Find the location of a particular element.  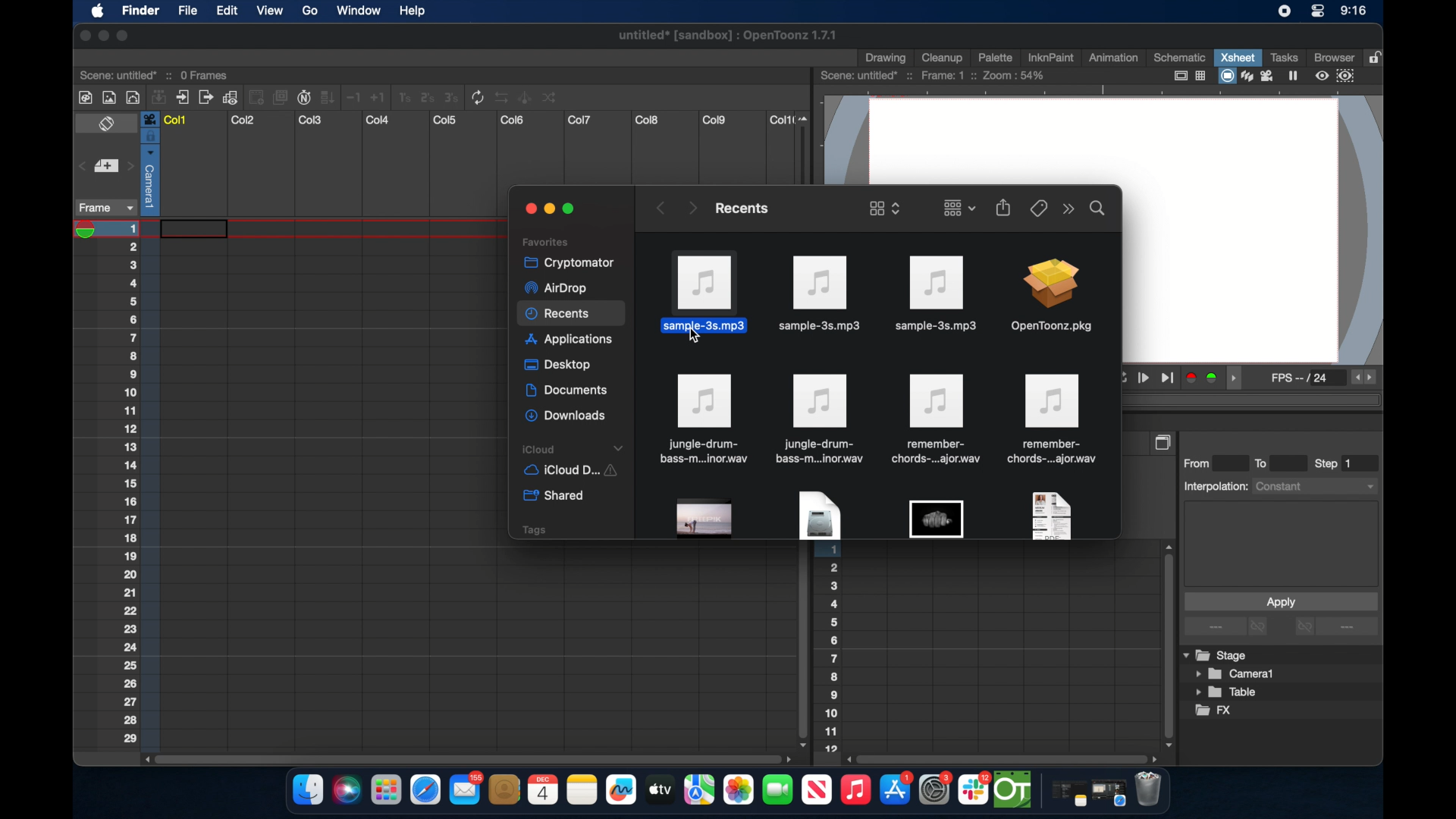

view modes is located at coordinates (1260, 76).